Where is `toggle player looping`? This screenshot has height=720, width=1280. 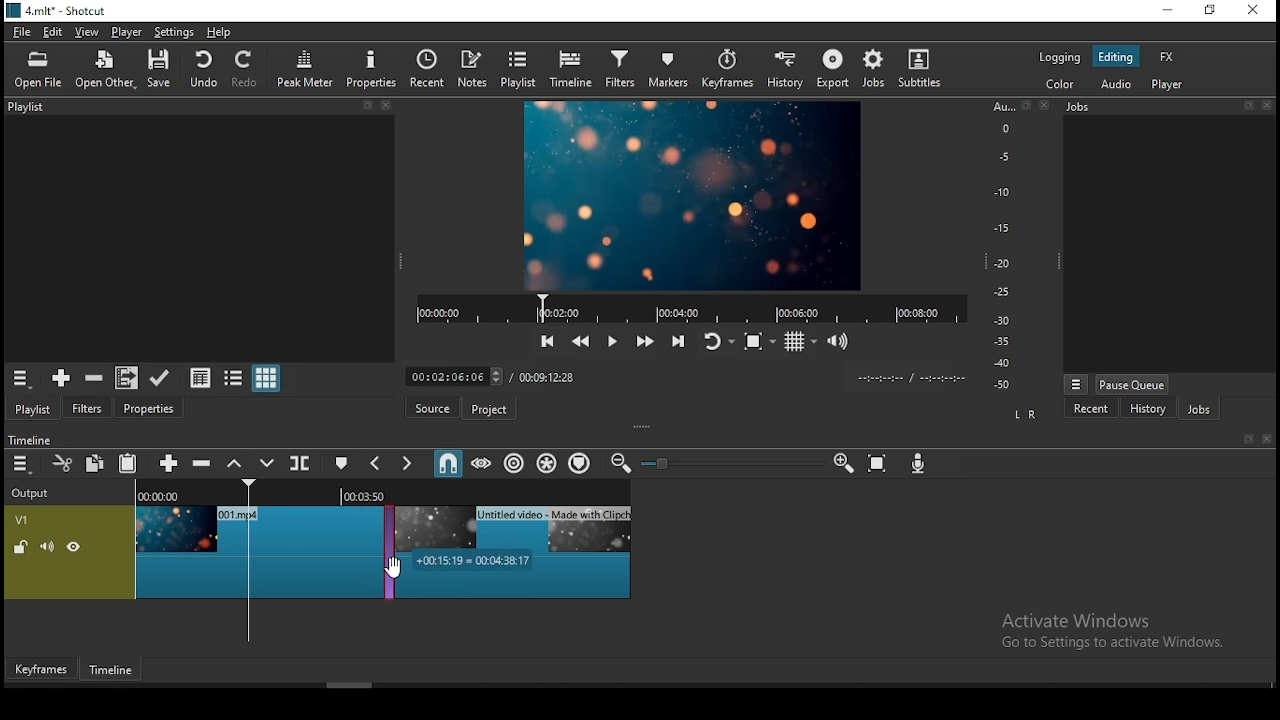 toggle player looping is located at coordinates (717, 341).